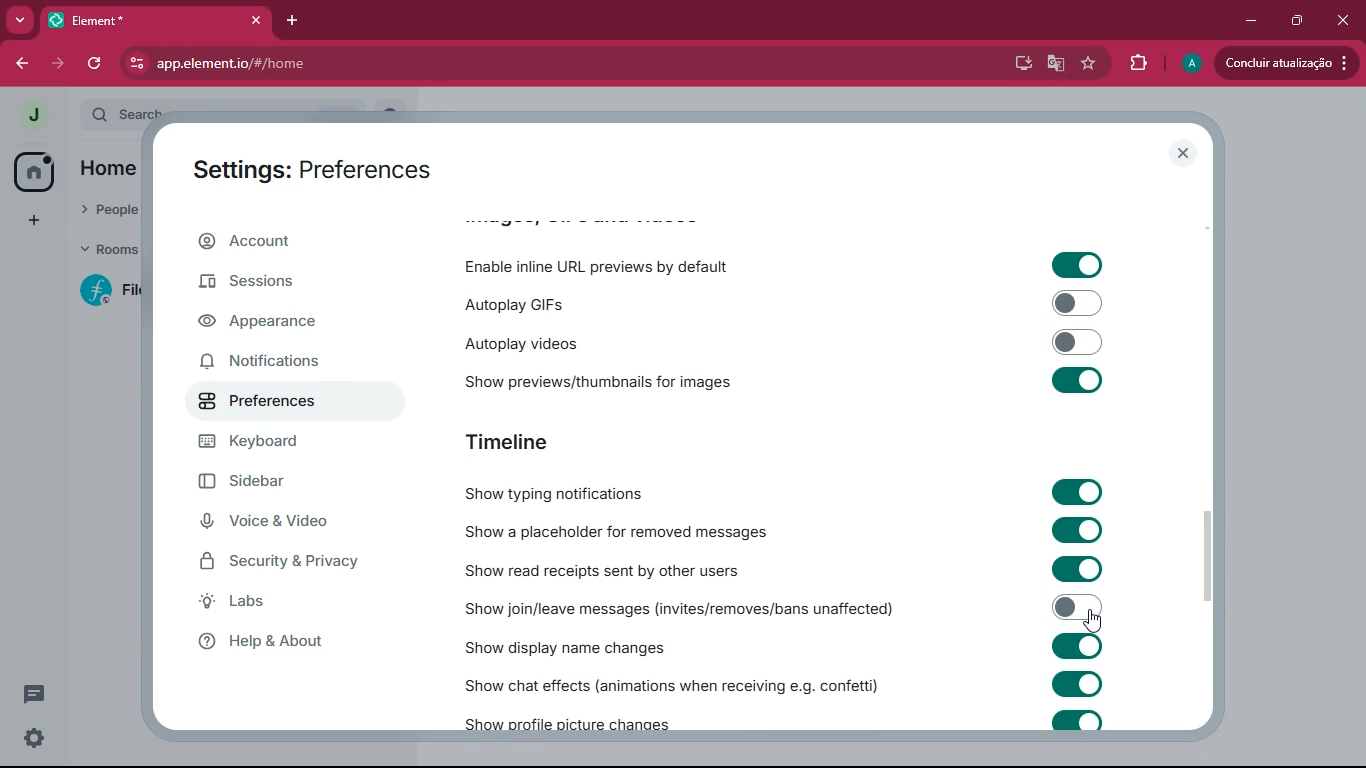  I want to click on show previews/thumbnails for images, so click(592, 379).